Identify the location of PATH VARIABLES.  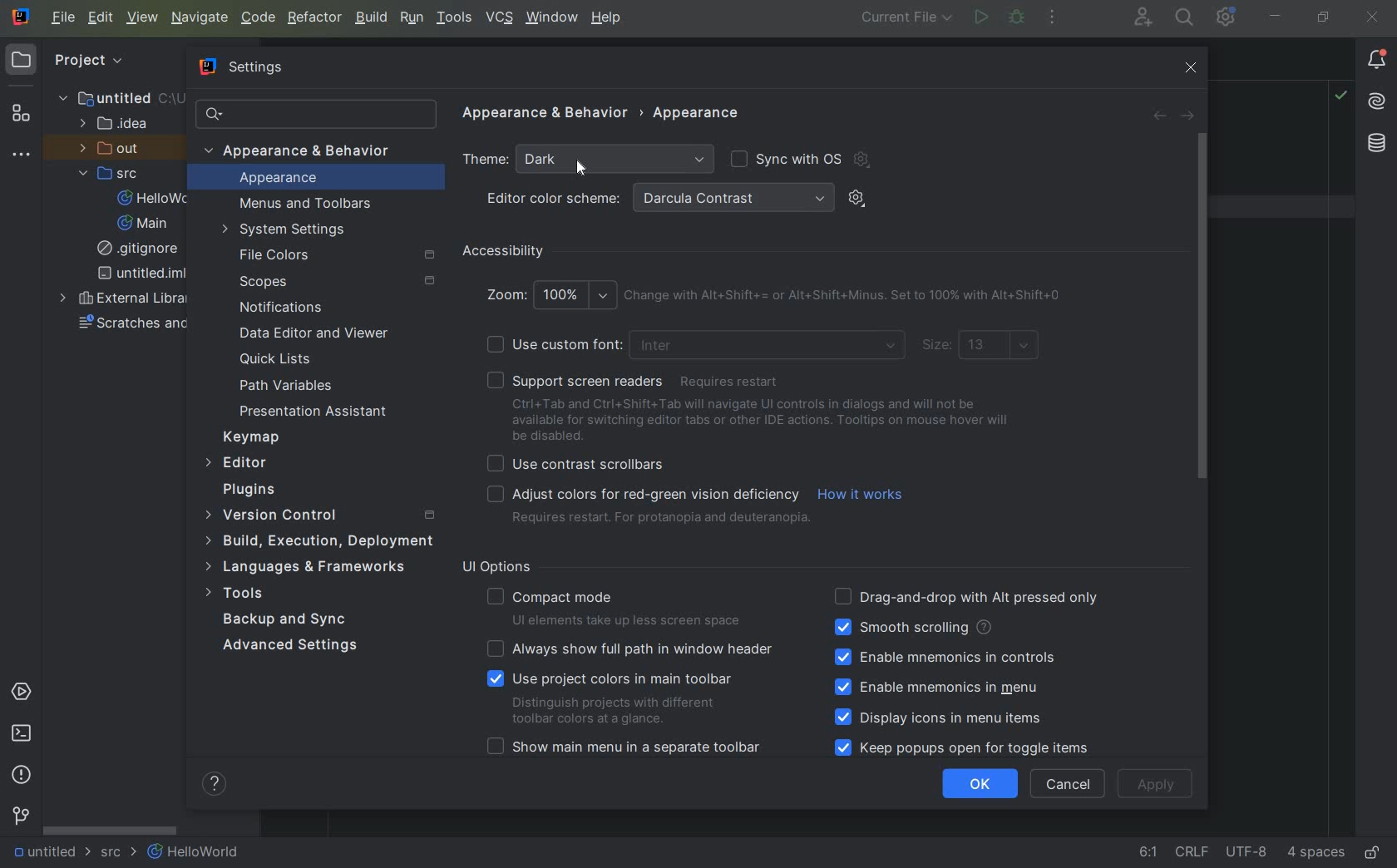
(287, 386).